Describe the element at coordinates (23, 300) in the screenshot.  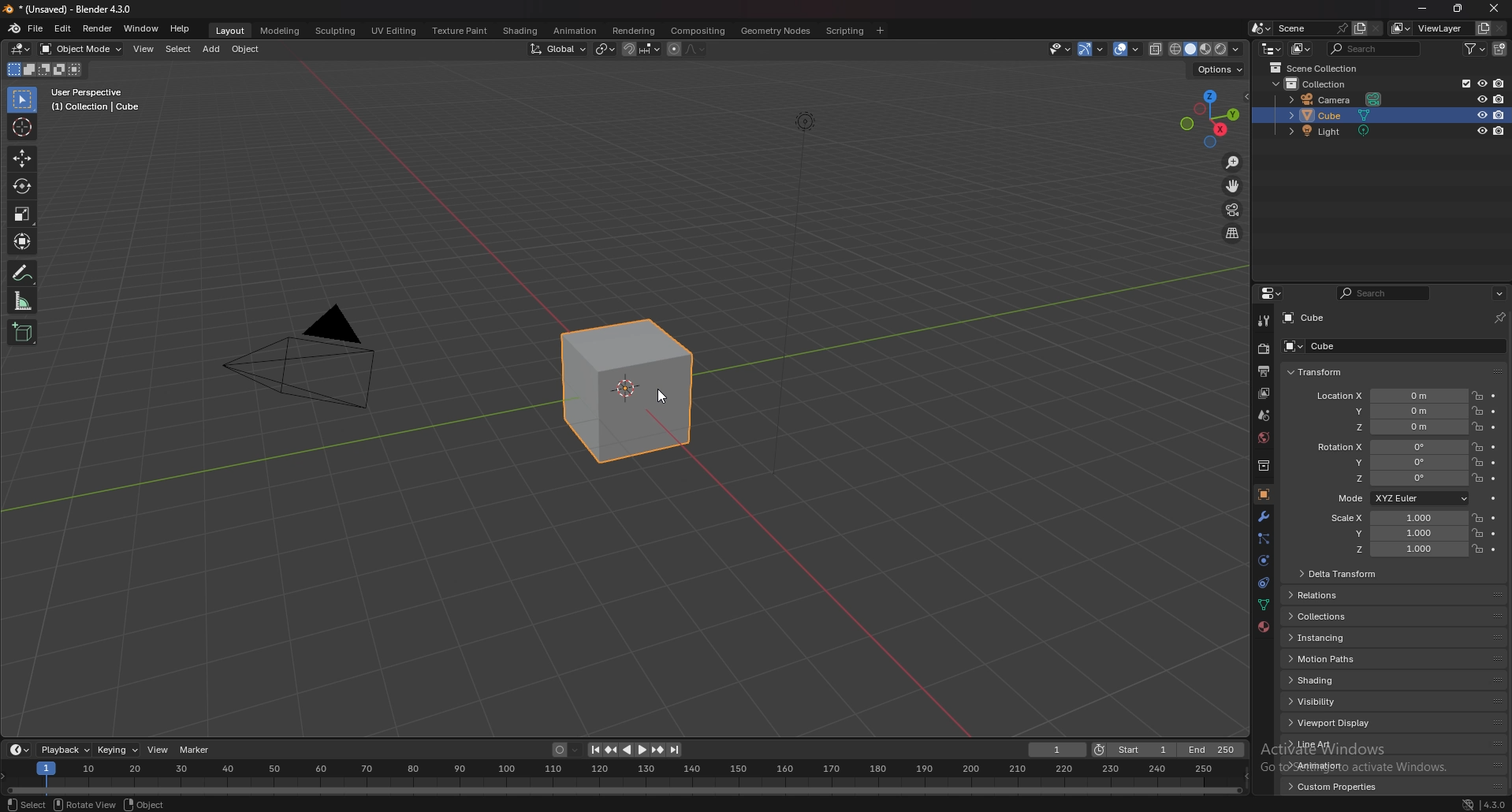
I see `measure` at that location.